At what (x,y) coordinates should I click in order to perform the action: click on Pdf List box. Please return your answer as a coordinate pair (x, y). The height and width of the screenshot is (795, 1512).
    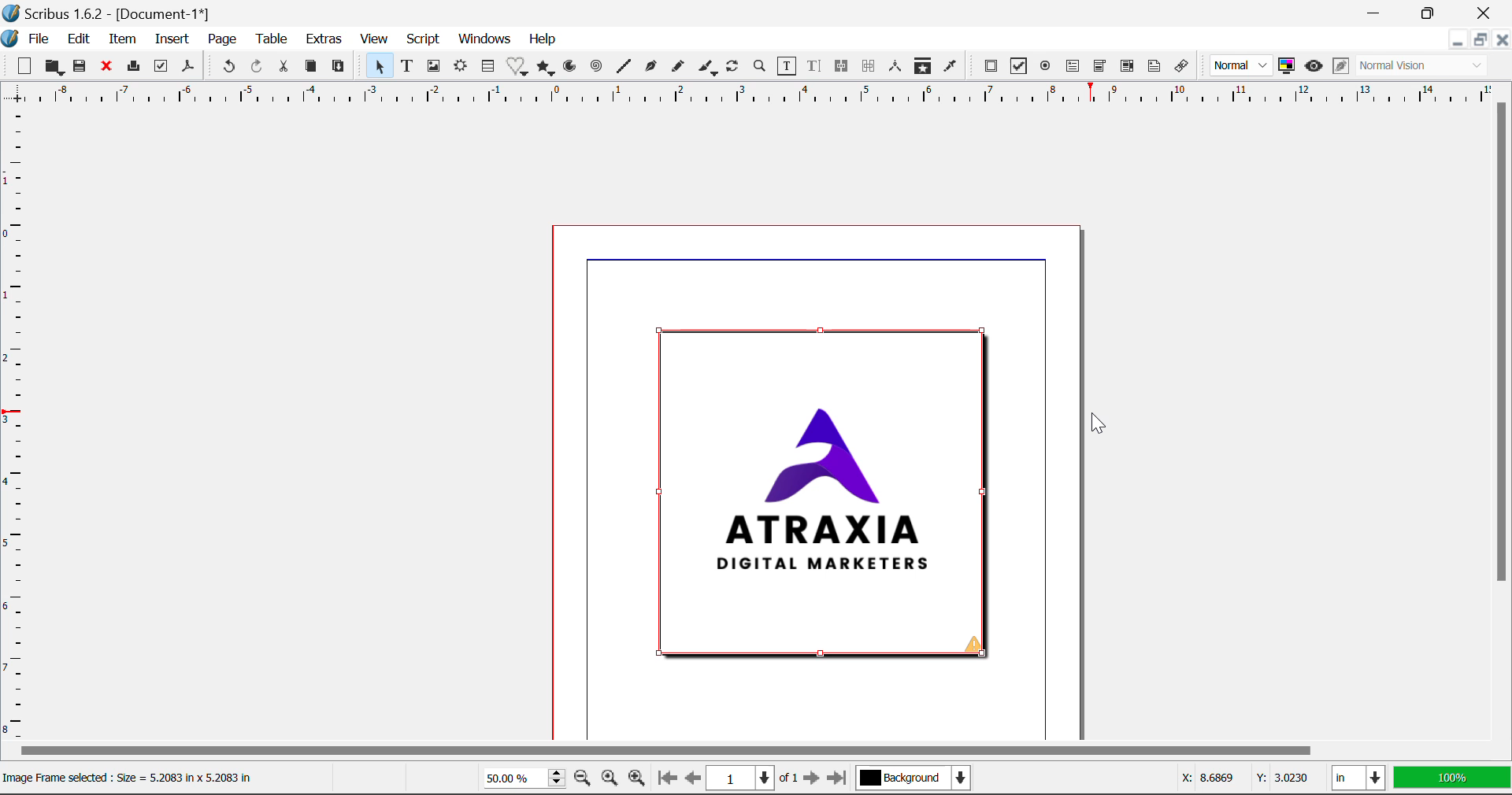
    Looking at the image, I should click on (1126, 68).